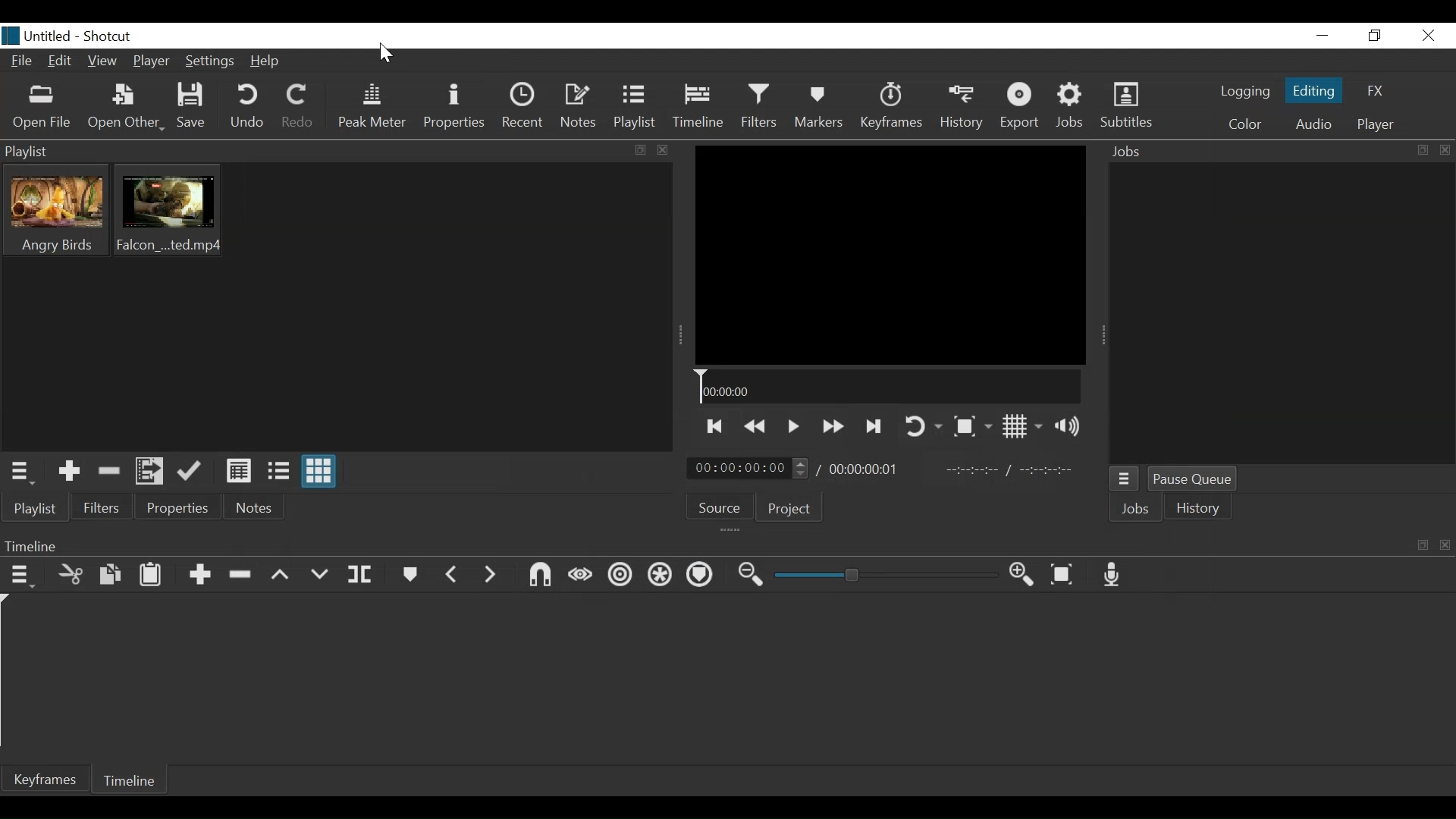 The height and width of the screenshot is (819, 1456). I want to click on Lift, so click(281, 576).